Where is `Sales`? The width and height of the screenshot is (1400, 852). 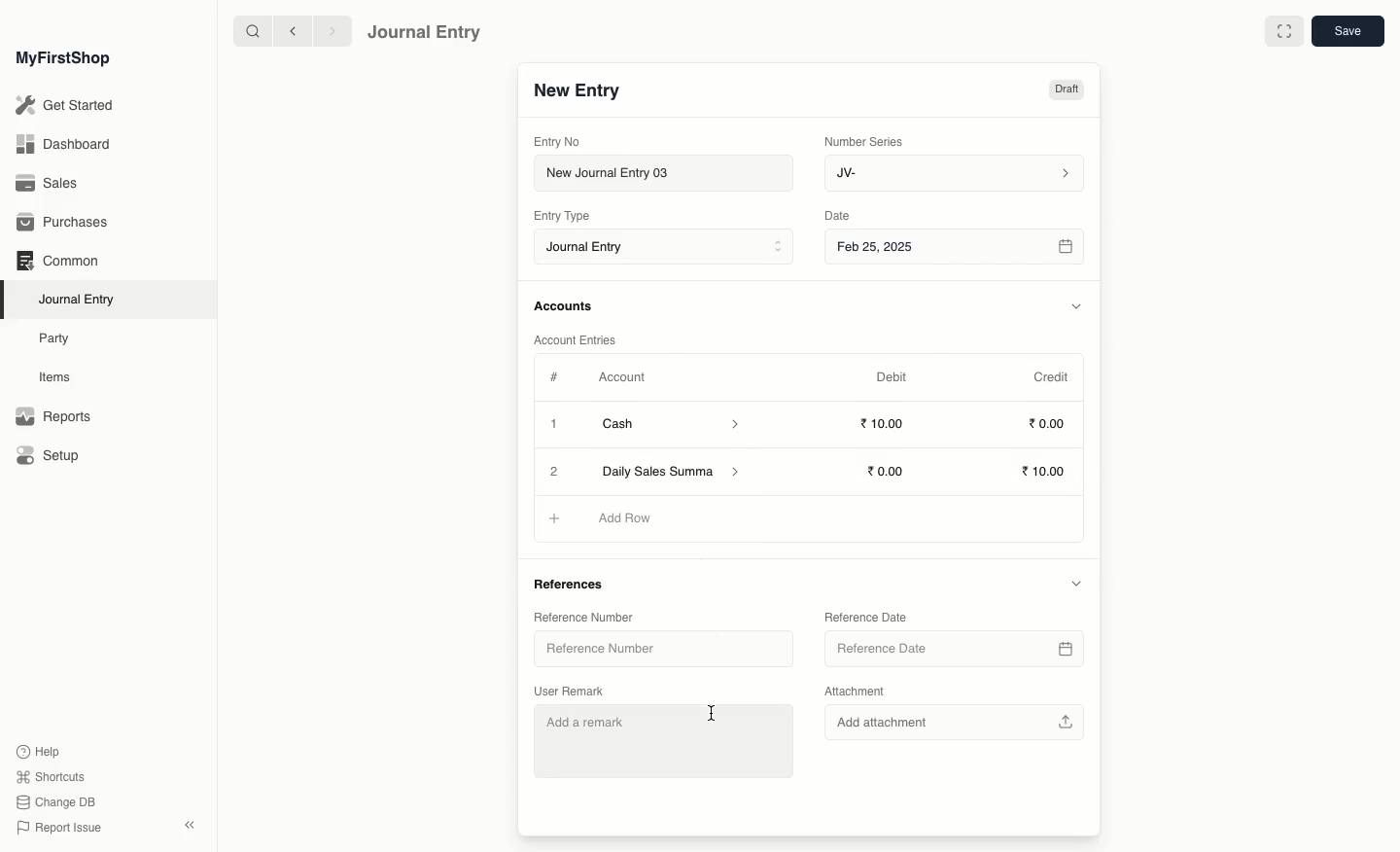 Sales is located at coordinates (48, 185).